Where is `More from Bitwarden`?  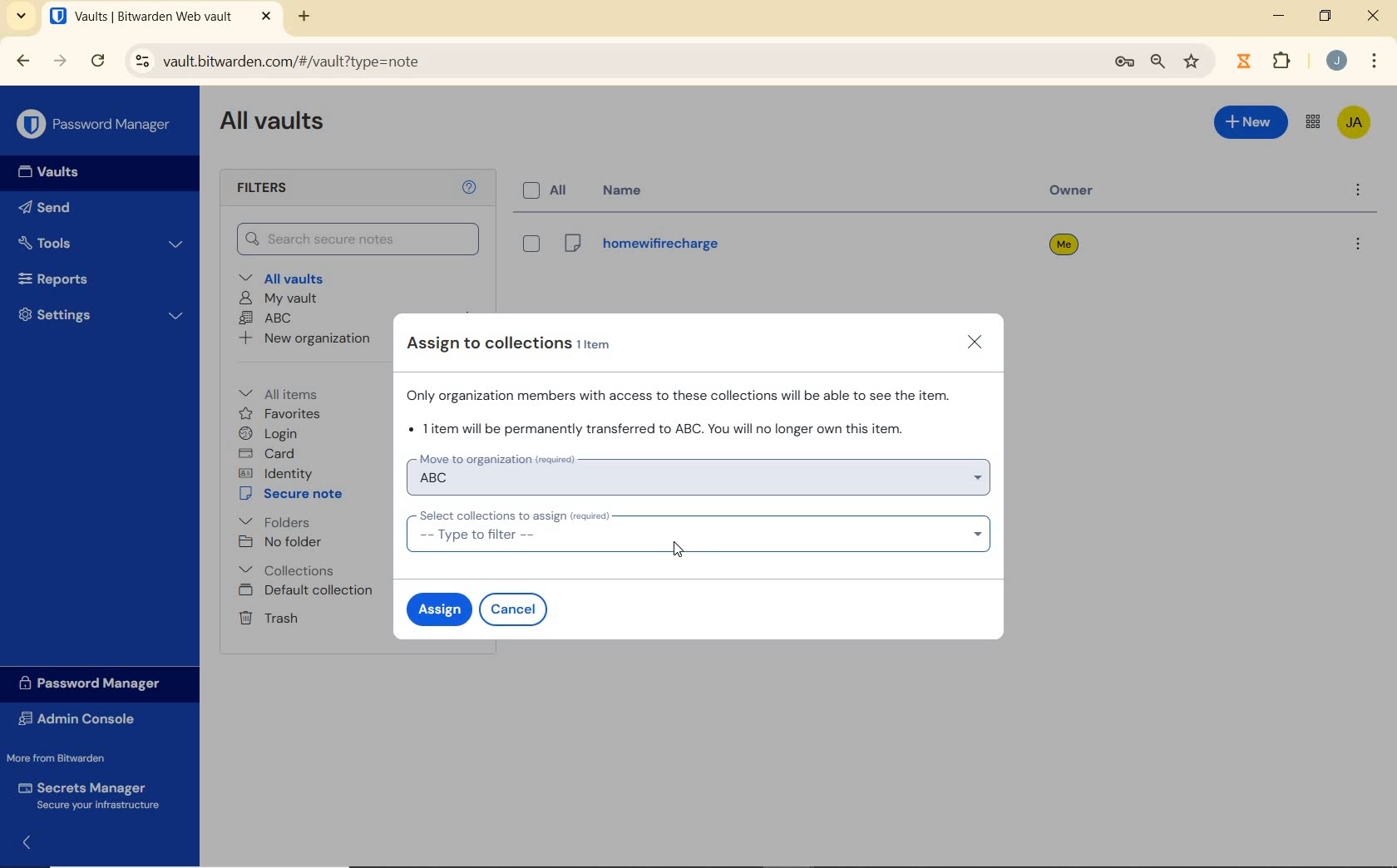 More from Bitwarden is located at coordinates (67, 757).